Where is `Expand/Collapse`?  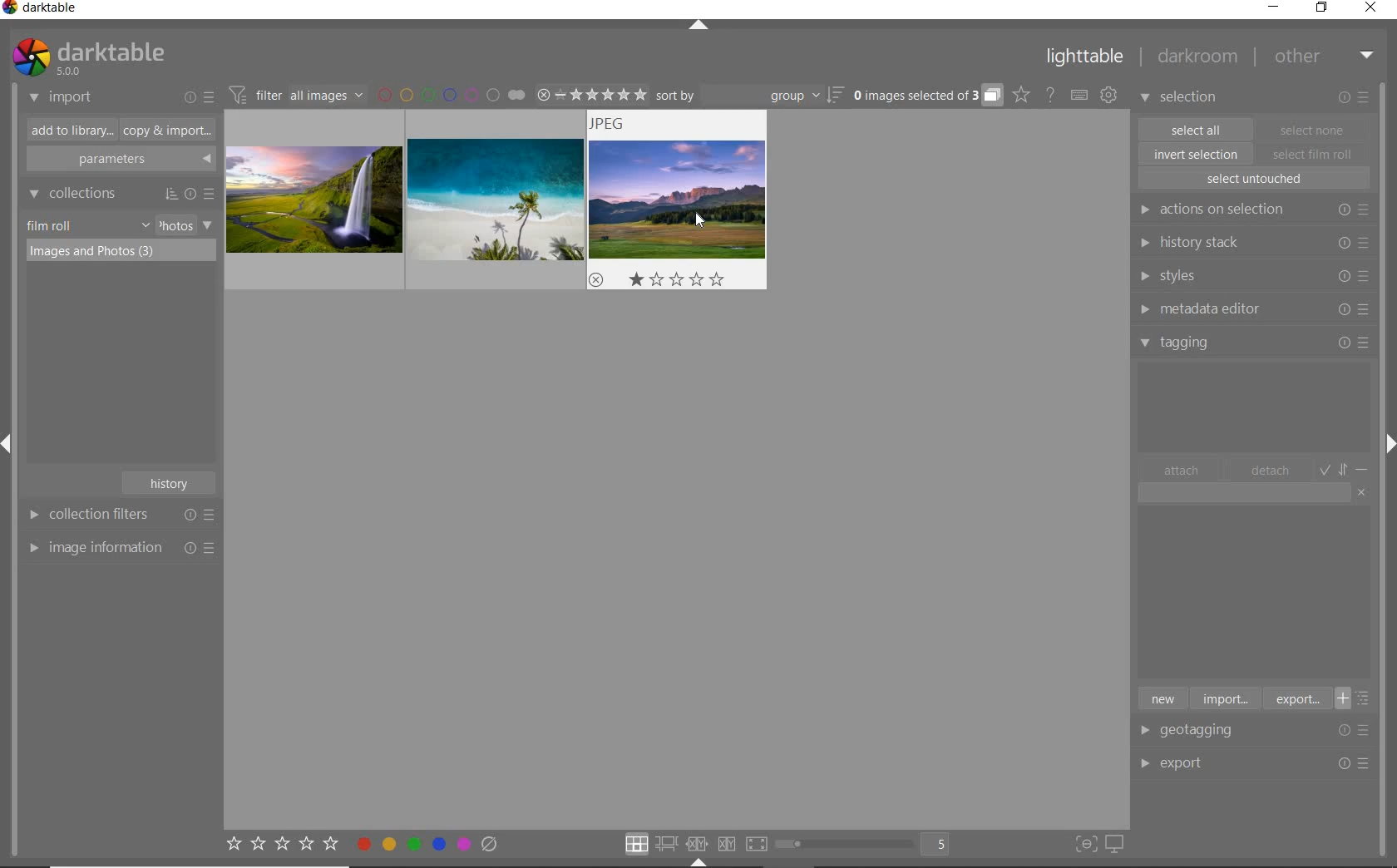
Expand/Collapse is located at coordinates (698, 862).